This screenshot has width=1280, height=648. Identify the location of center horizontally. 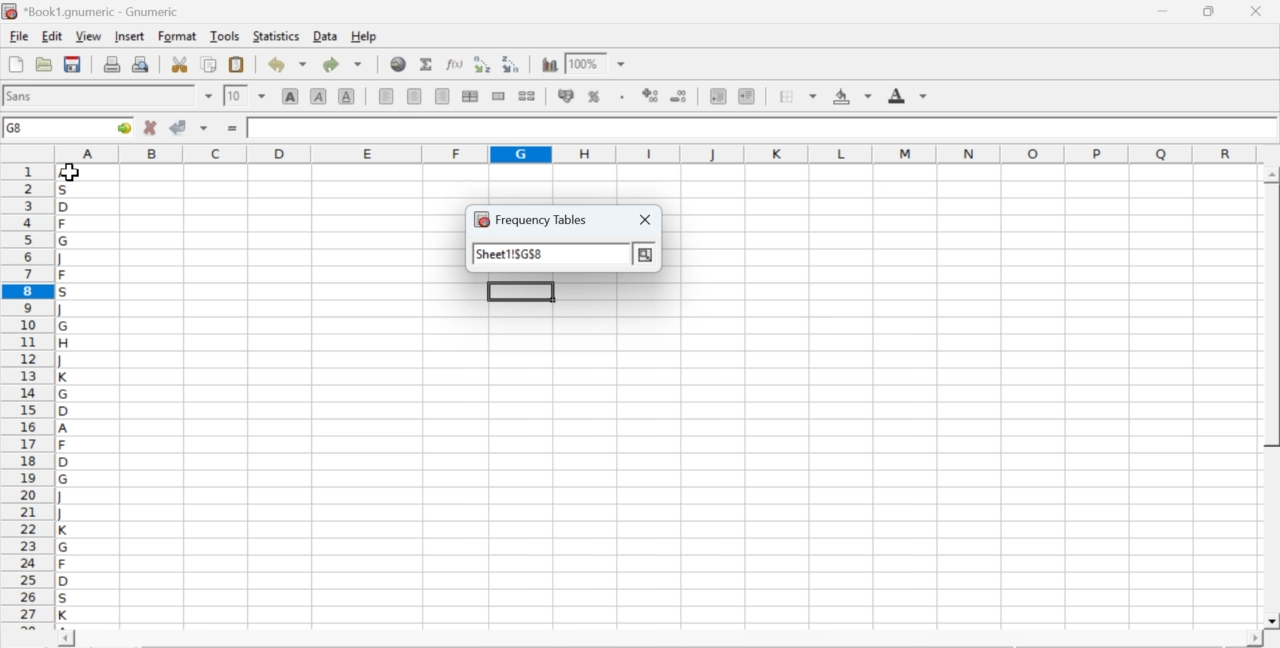
(415, 96).